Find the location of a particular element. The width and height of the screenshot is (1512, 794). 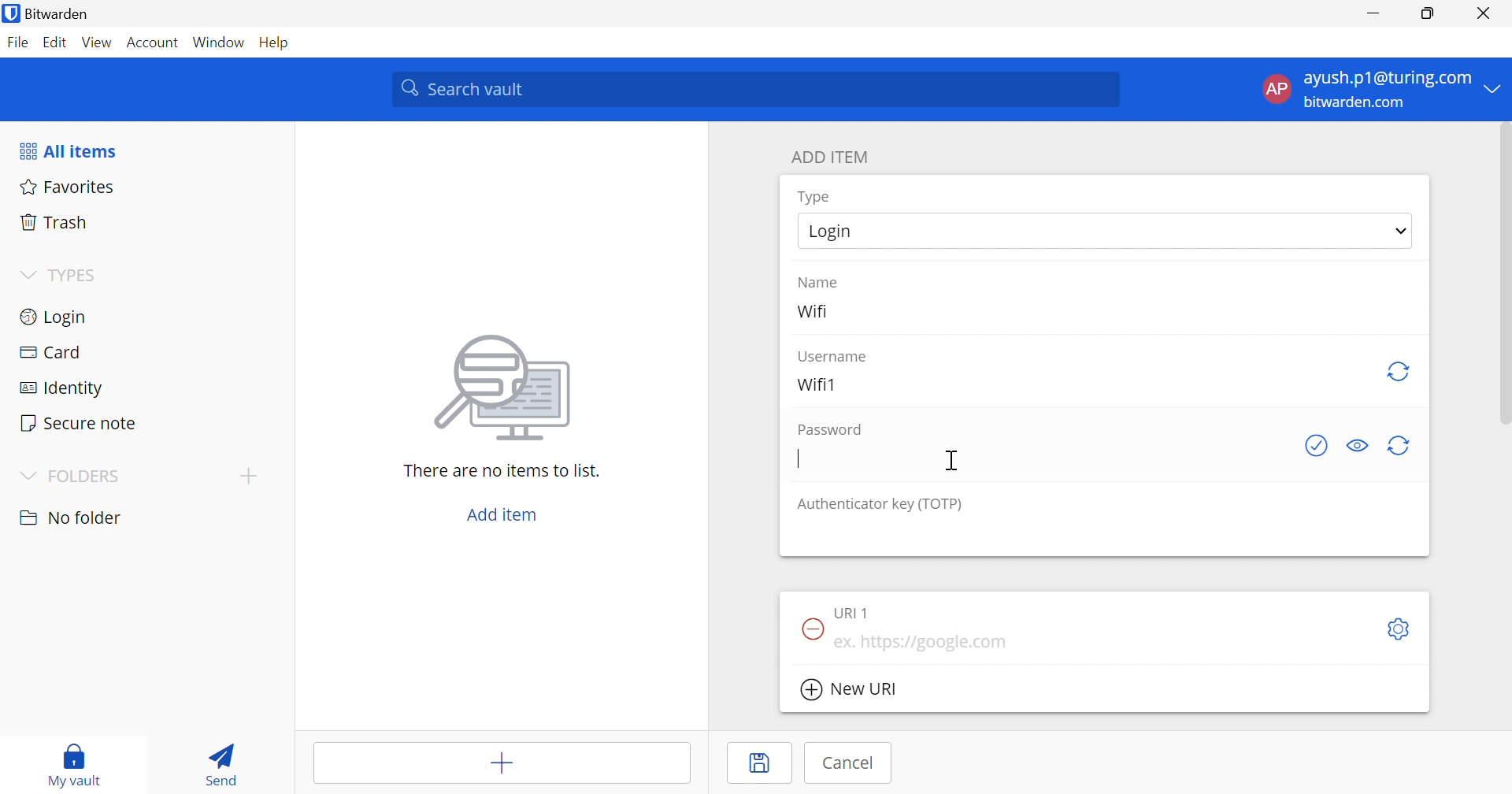

Add item is located at coordinates (502, 514).